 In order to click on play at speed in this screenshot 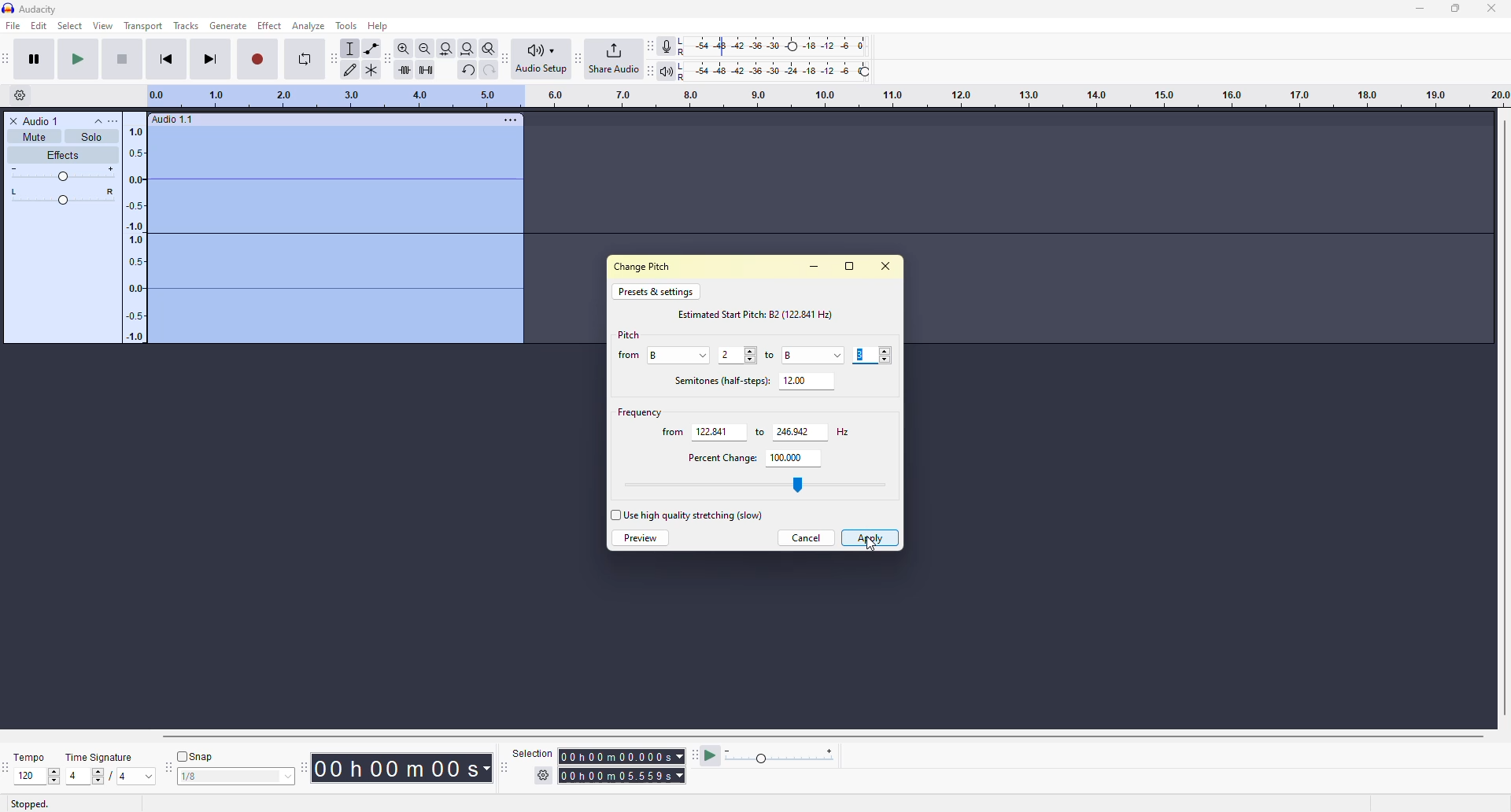, I will do `click(711, 755)`.